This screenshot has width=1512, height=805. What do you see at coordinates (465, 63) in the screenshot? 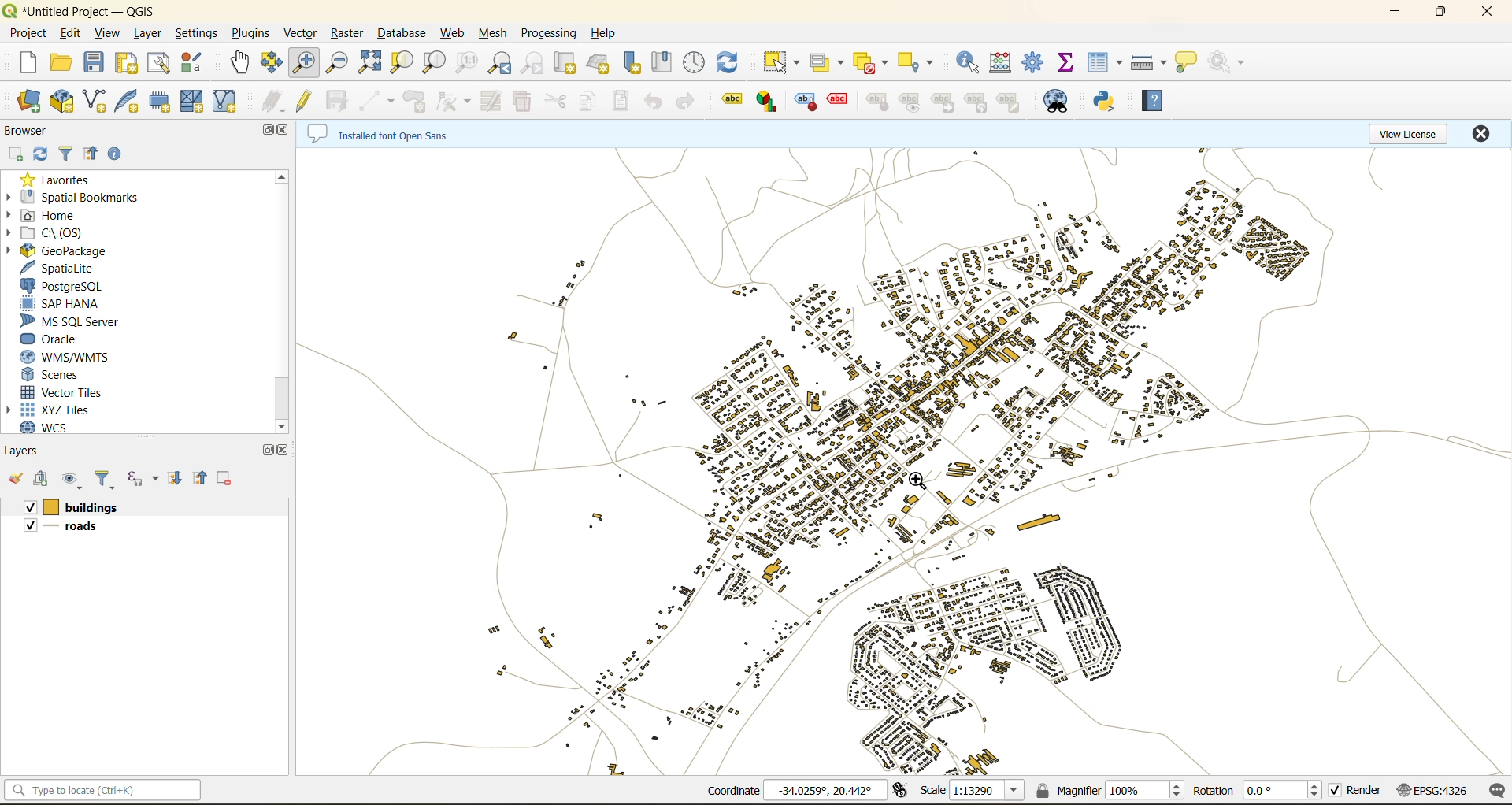
I see `zoom native` at bounding box center [465, 63].